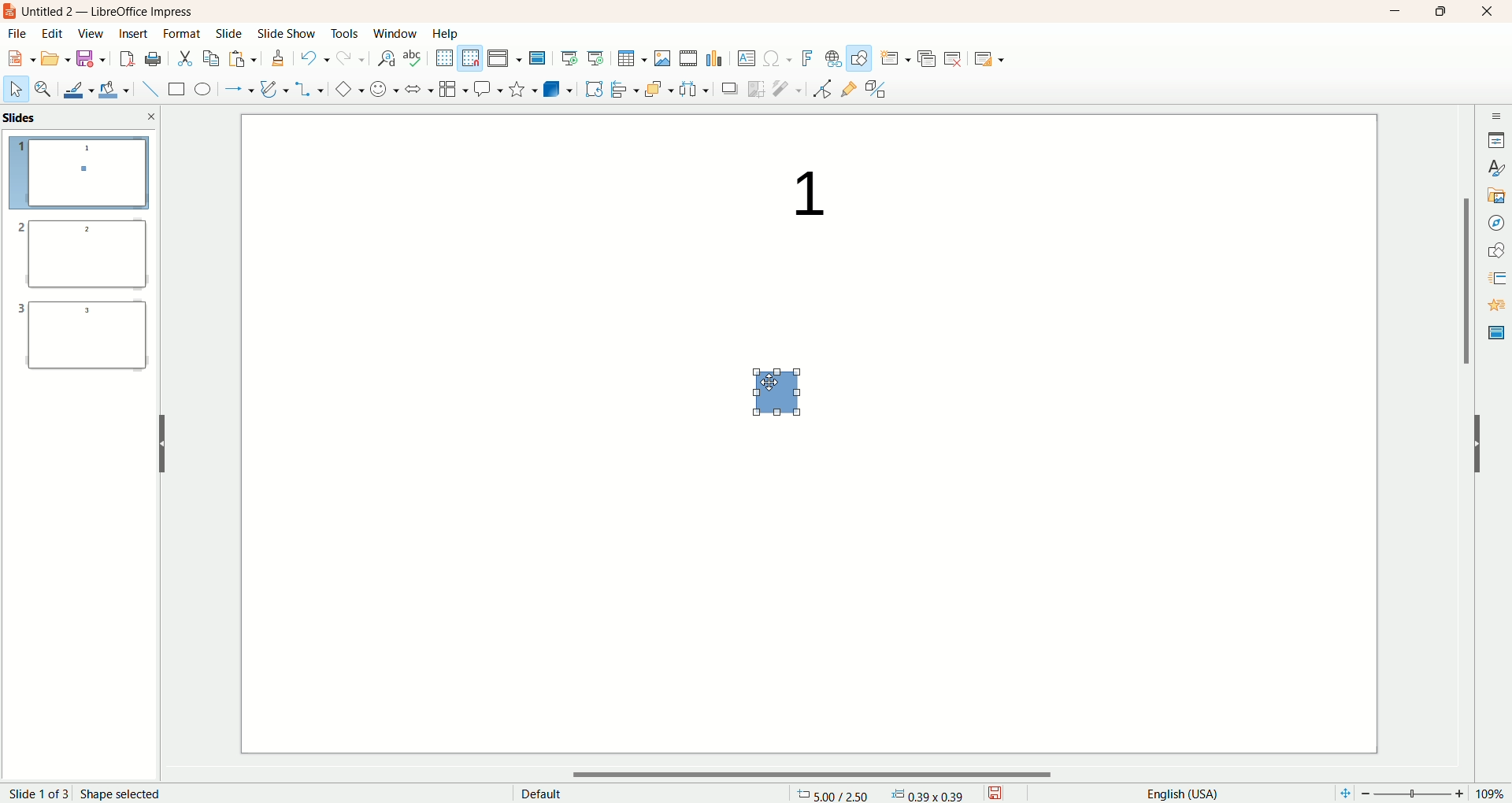 The width and height of the screenshot is (1512, 803). Describe the element at coordinates (125, 59) in the screenshot. I see `export directly as PDF` at that location.